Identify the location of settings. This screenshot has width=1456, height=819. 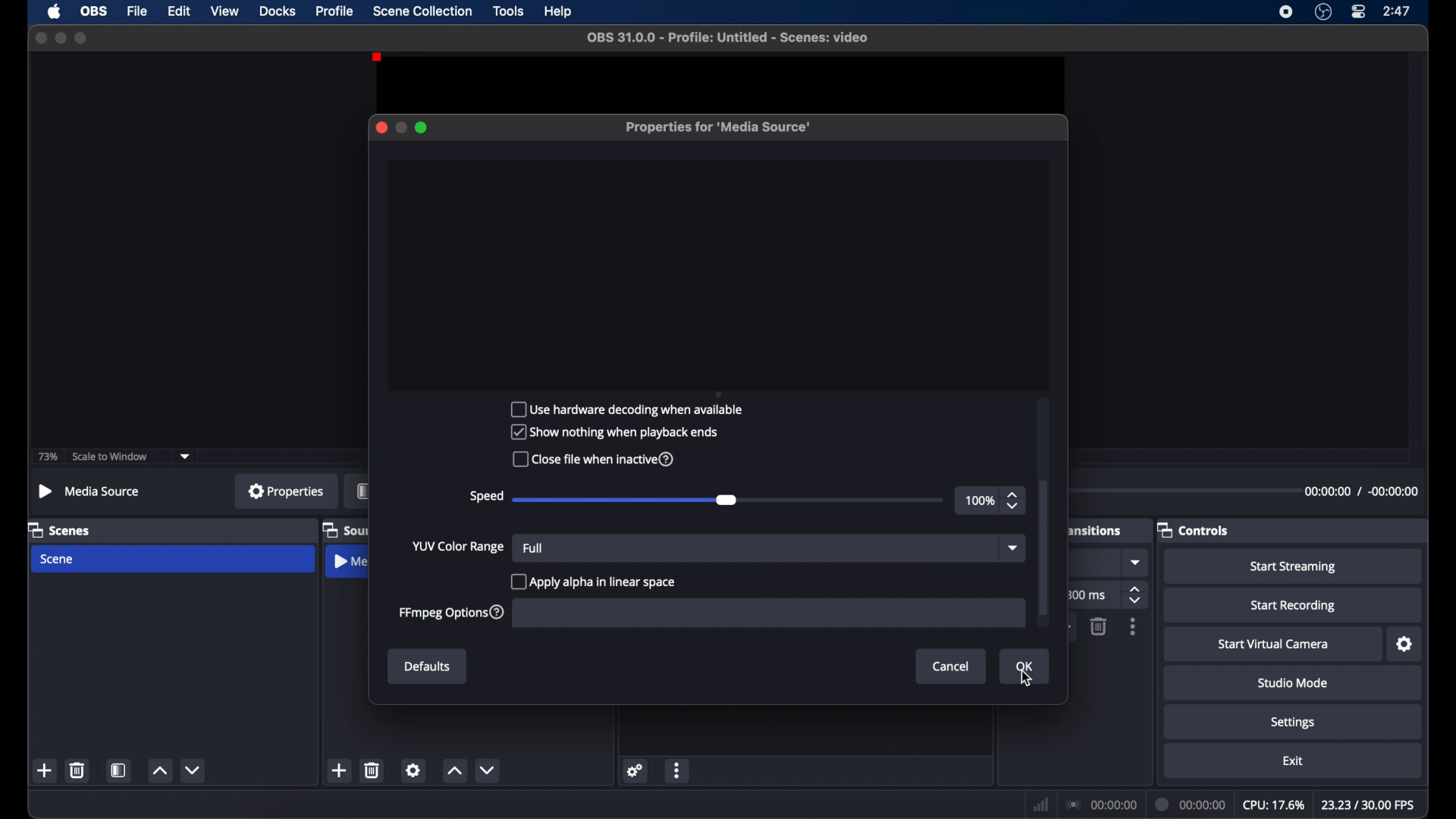
(636, 770).